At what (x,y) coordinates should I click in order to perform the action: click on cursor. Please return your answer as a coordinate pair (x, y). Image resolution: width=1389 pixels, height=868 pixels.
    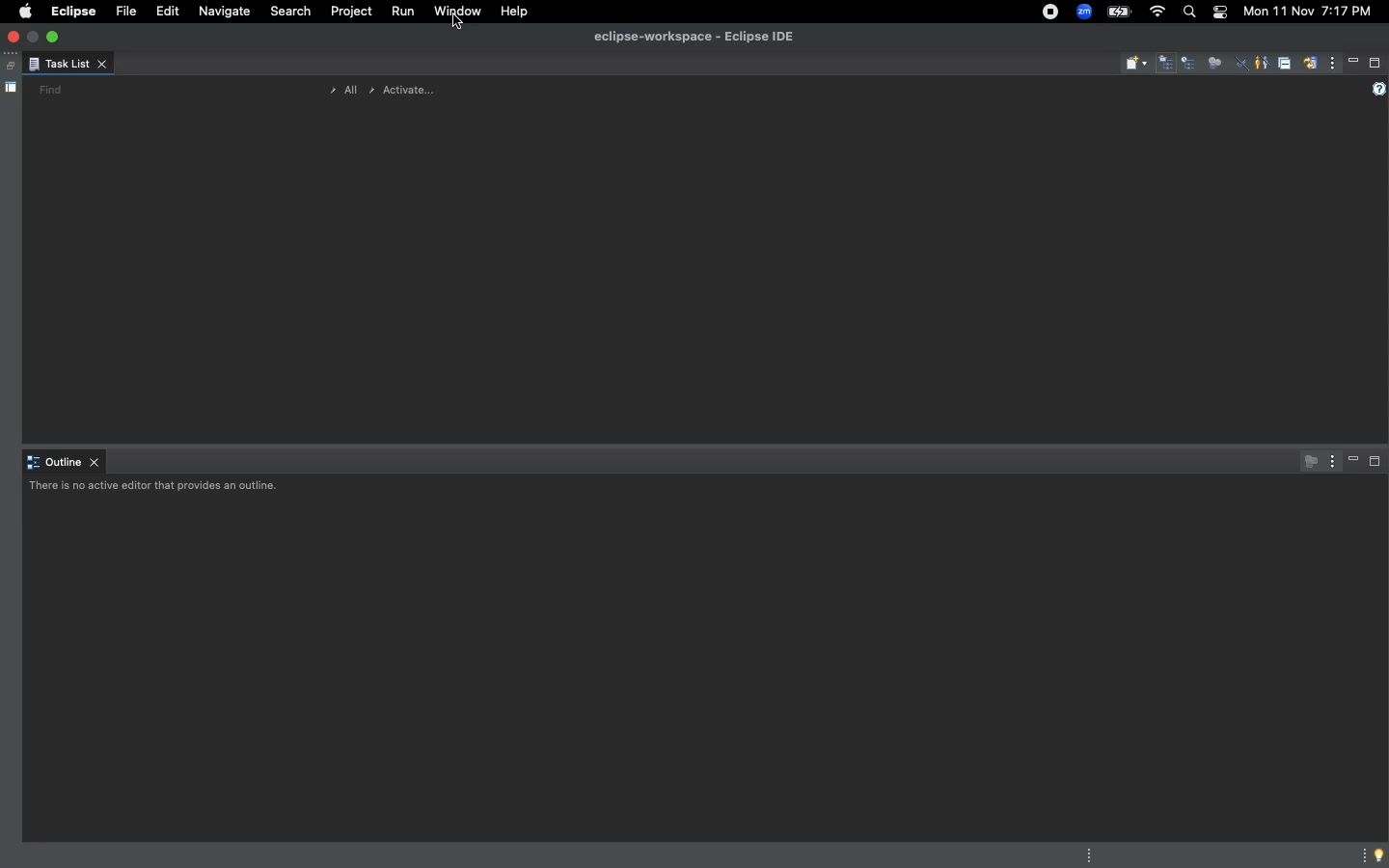
    Looking at the image, I should click on (461, 33).